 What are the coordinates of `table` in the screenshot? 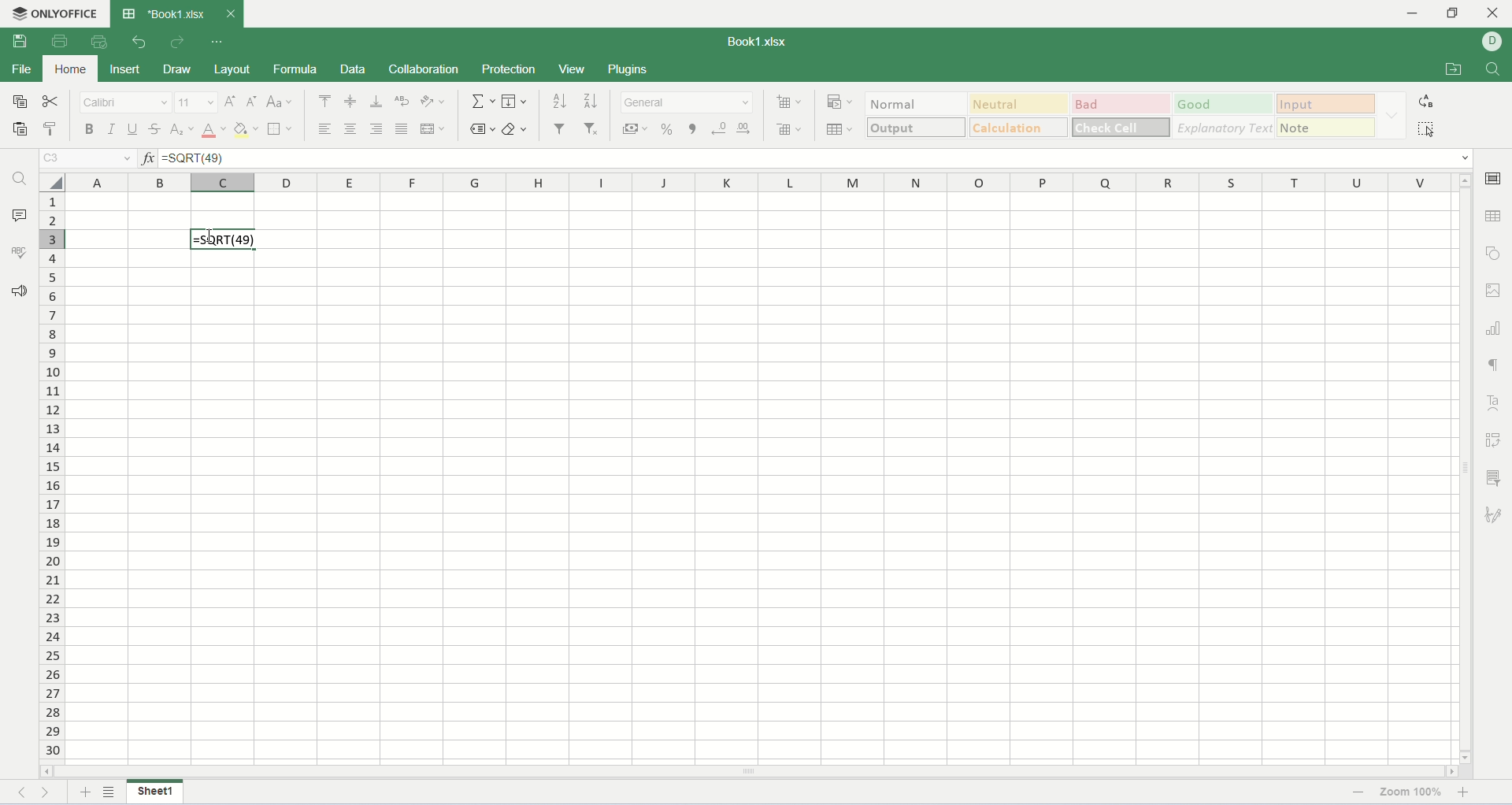 It's located at (840, 127).